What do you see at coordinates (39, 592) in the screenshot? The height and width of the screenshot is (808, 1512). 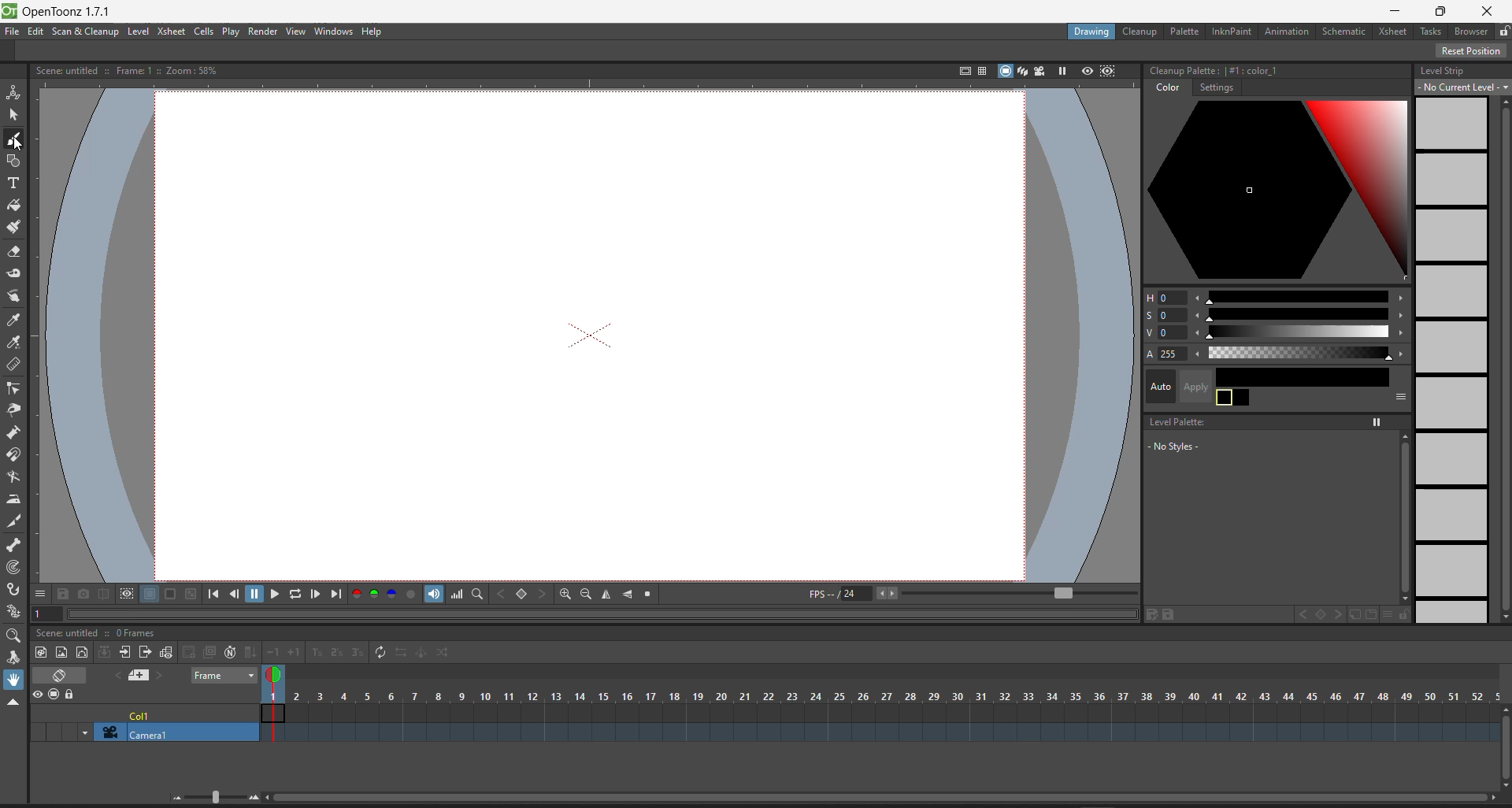 I see `more options` at bounding box center [39, 592].